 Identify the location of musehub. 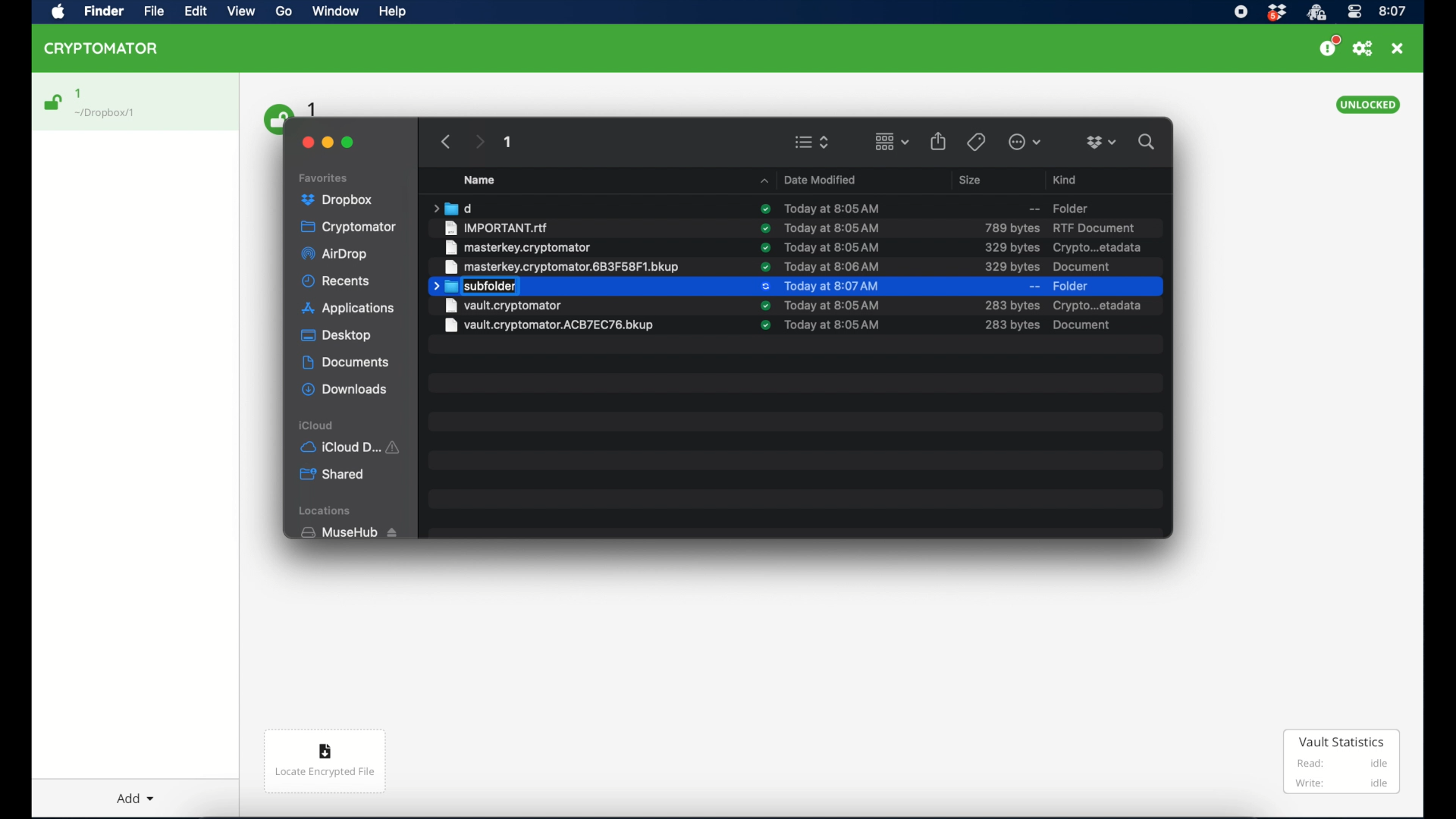
(348, 532).